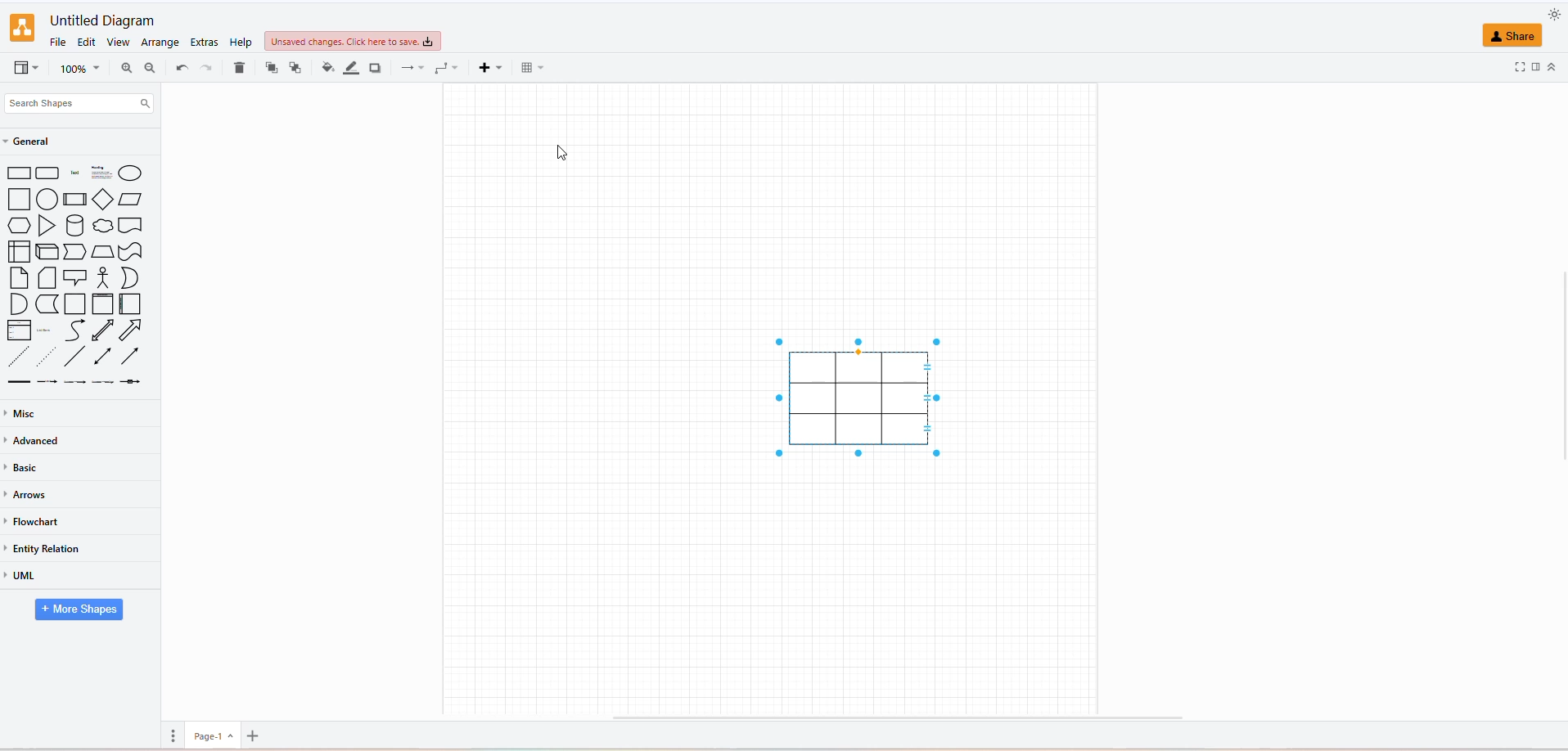  What do you see at coordinates (182, 70) in the screenshot?
I see `undo` at bounding box center [182, 70].